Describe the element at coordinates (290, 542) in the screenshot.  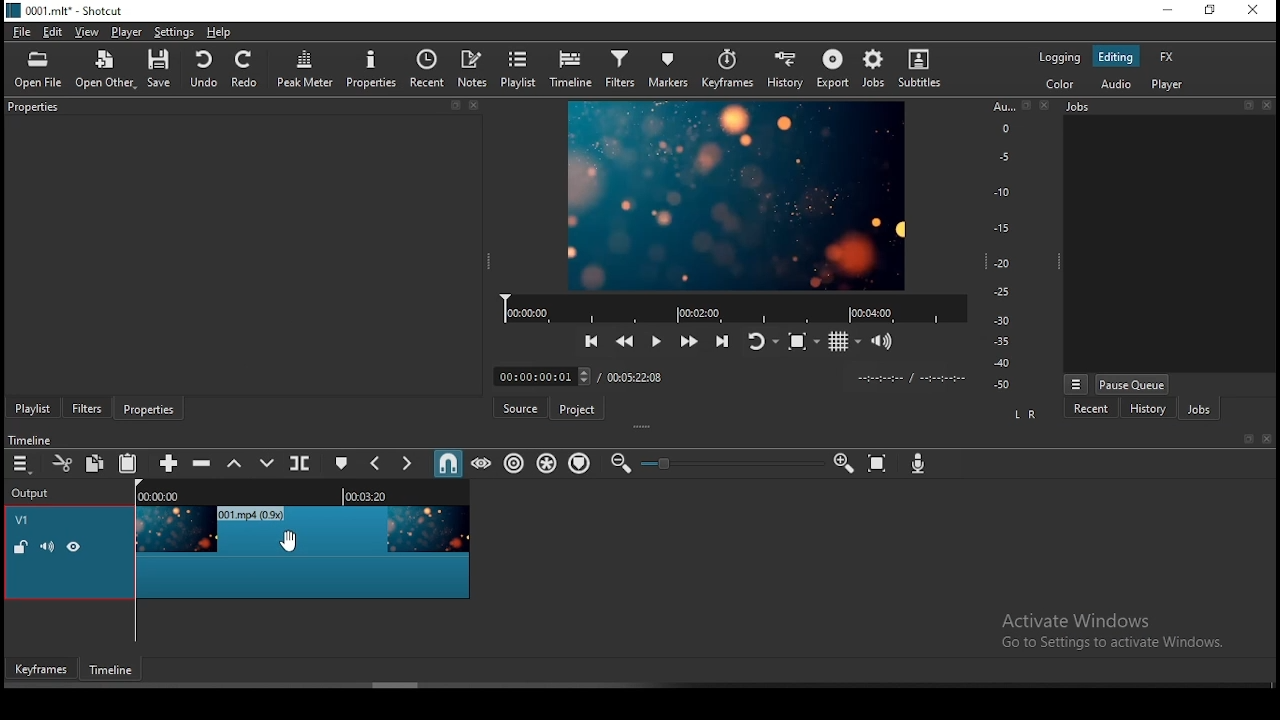
I see `cursor` at that location.